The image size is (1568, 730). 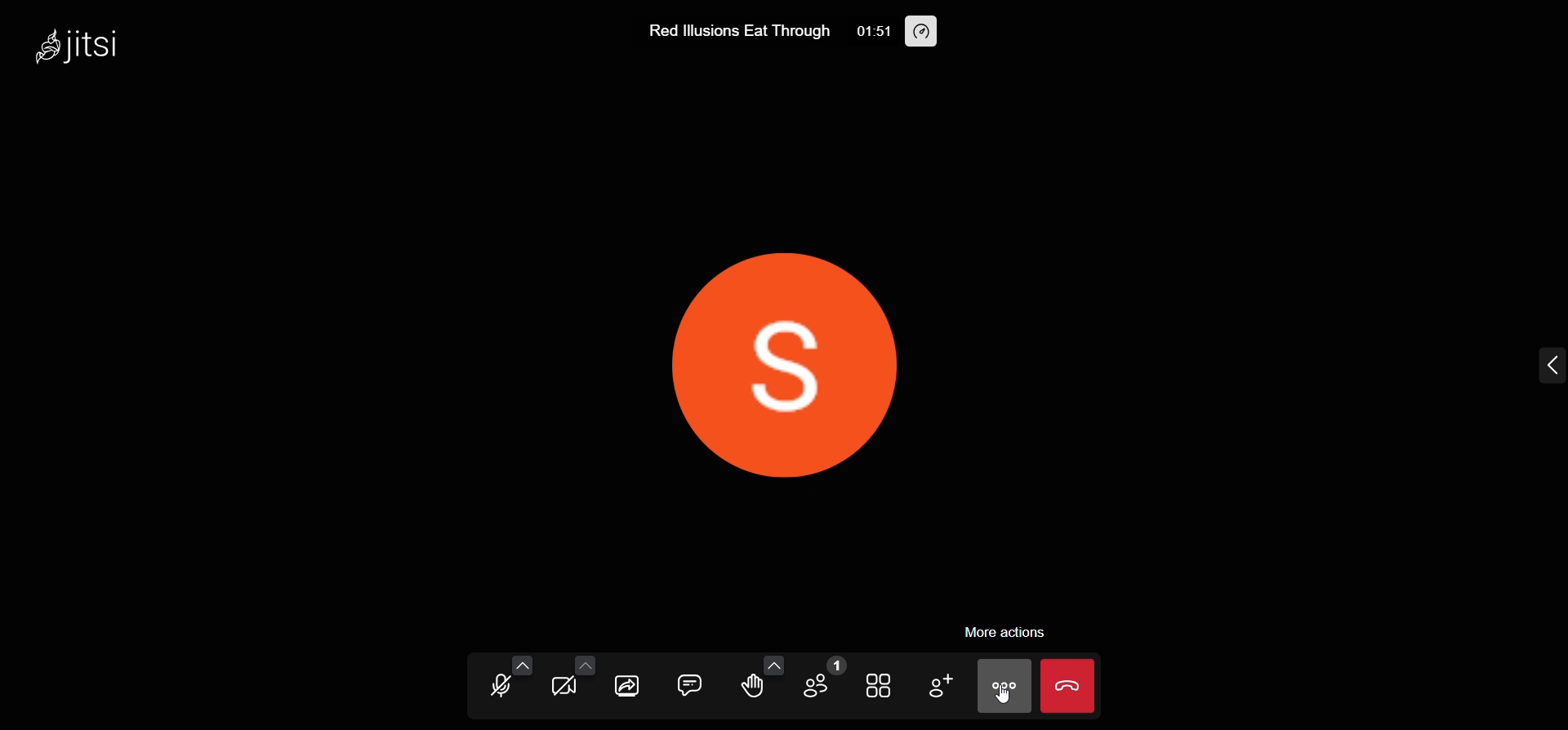 I want to click on more emoji, so click(x=775, y=664).